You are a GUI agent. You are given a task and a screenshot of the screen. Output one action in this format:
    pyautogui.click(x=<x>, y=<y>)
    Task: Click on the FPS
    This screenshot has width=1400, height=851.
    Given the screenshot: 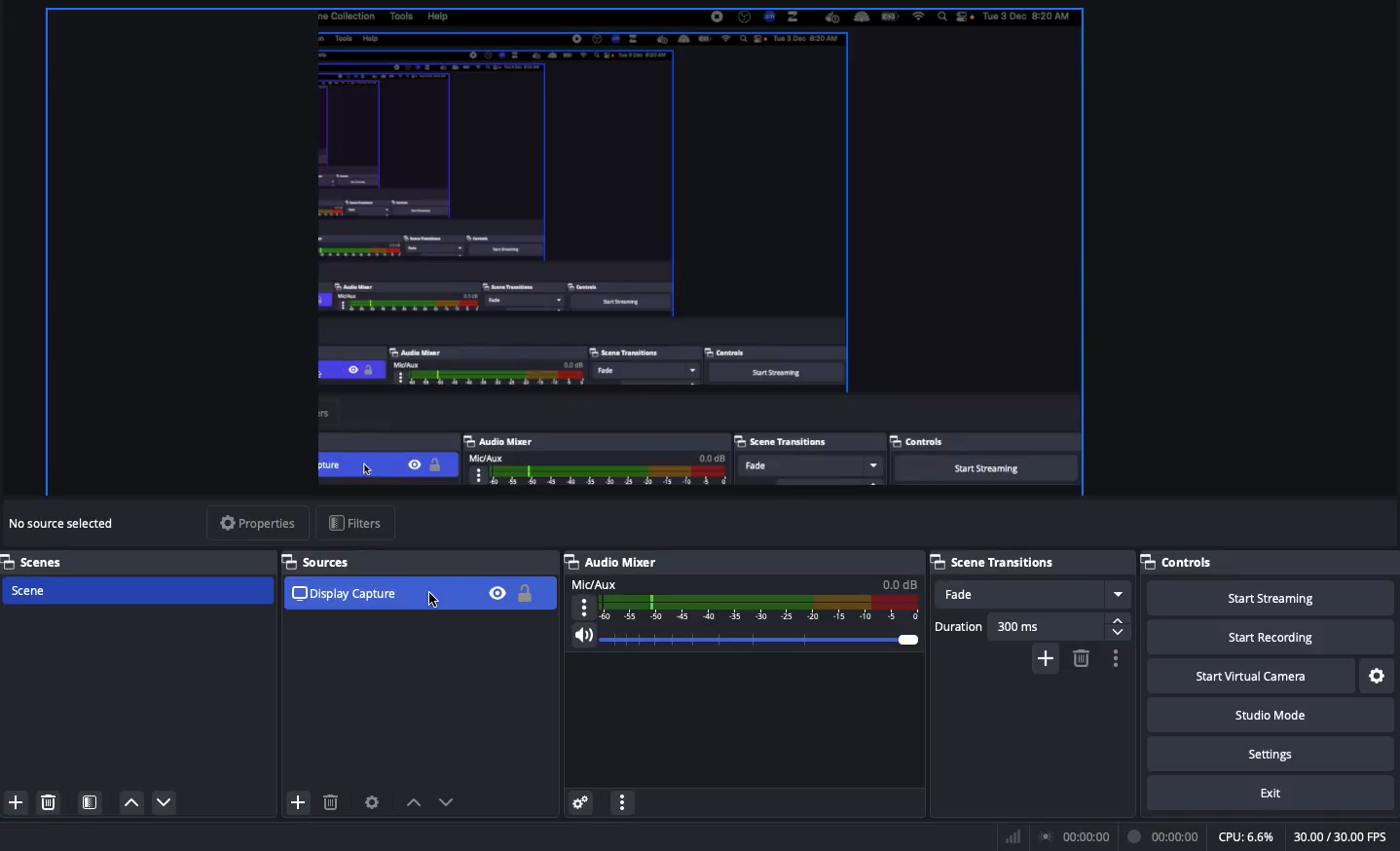 What is the action you would take?
    pyautogui.click(x=1343, y=836)
    